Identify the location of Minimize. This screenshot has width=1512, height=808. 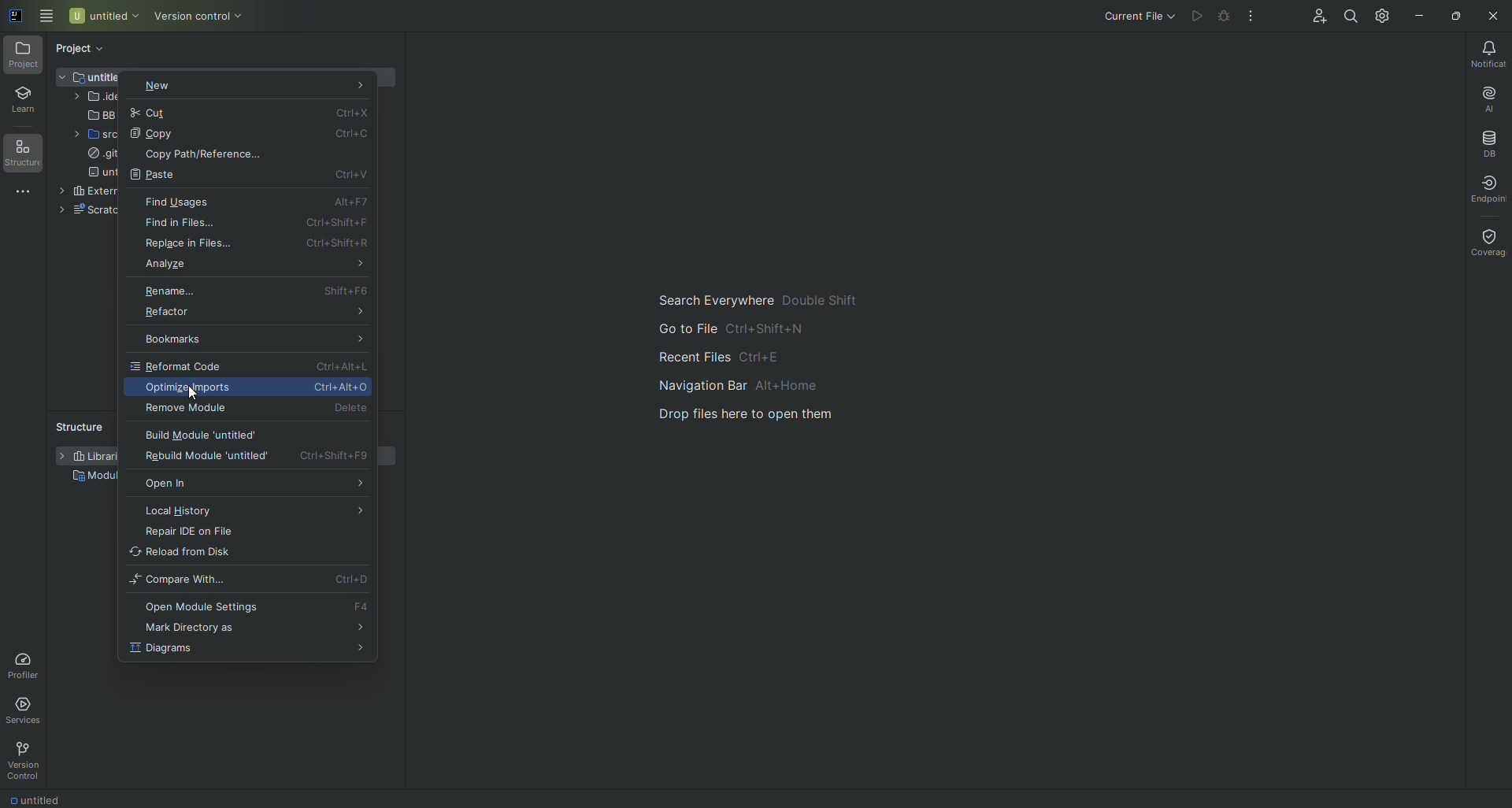
(1417, 14).